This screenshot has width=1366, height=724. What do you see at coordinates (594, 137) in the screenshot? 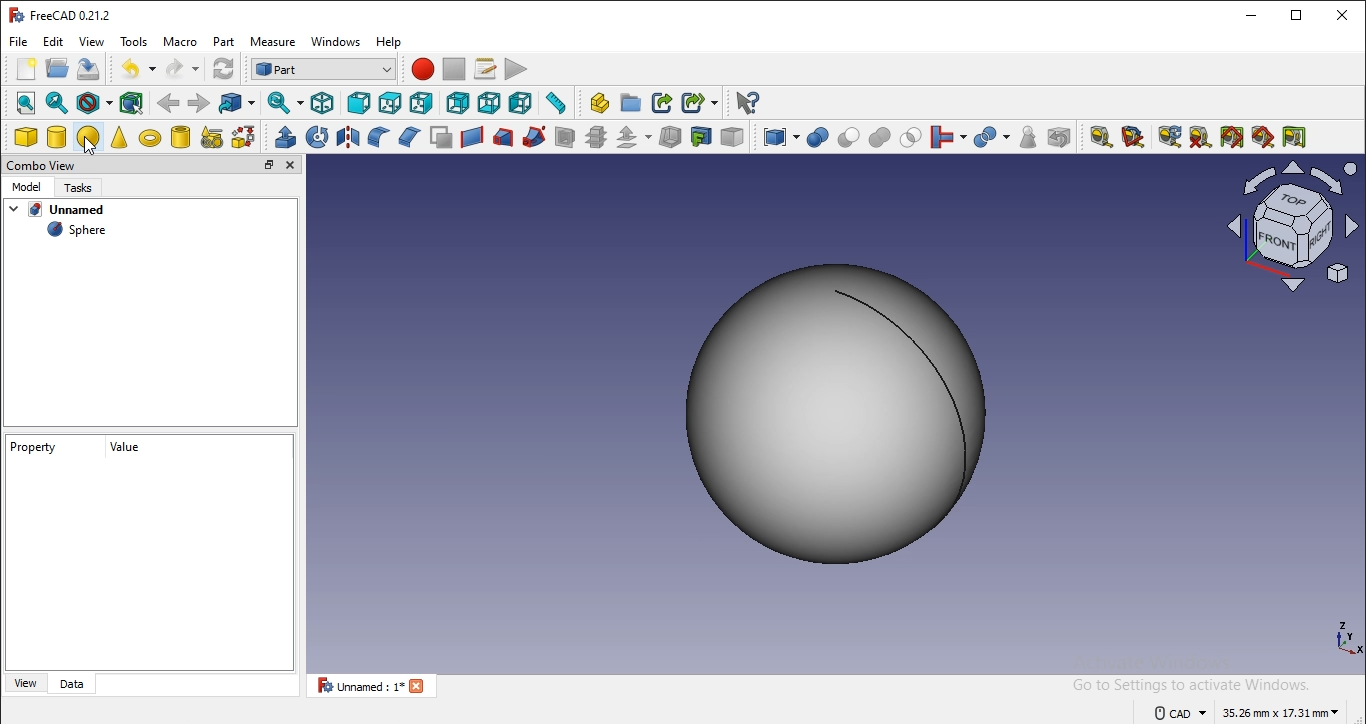
I see `cross section` at bounding box center [594, 137].